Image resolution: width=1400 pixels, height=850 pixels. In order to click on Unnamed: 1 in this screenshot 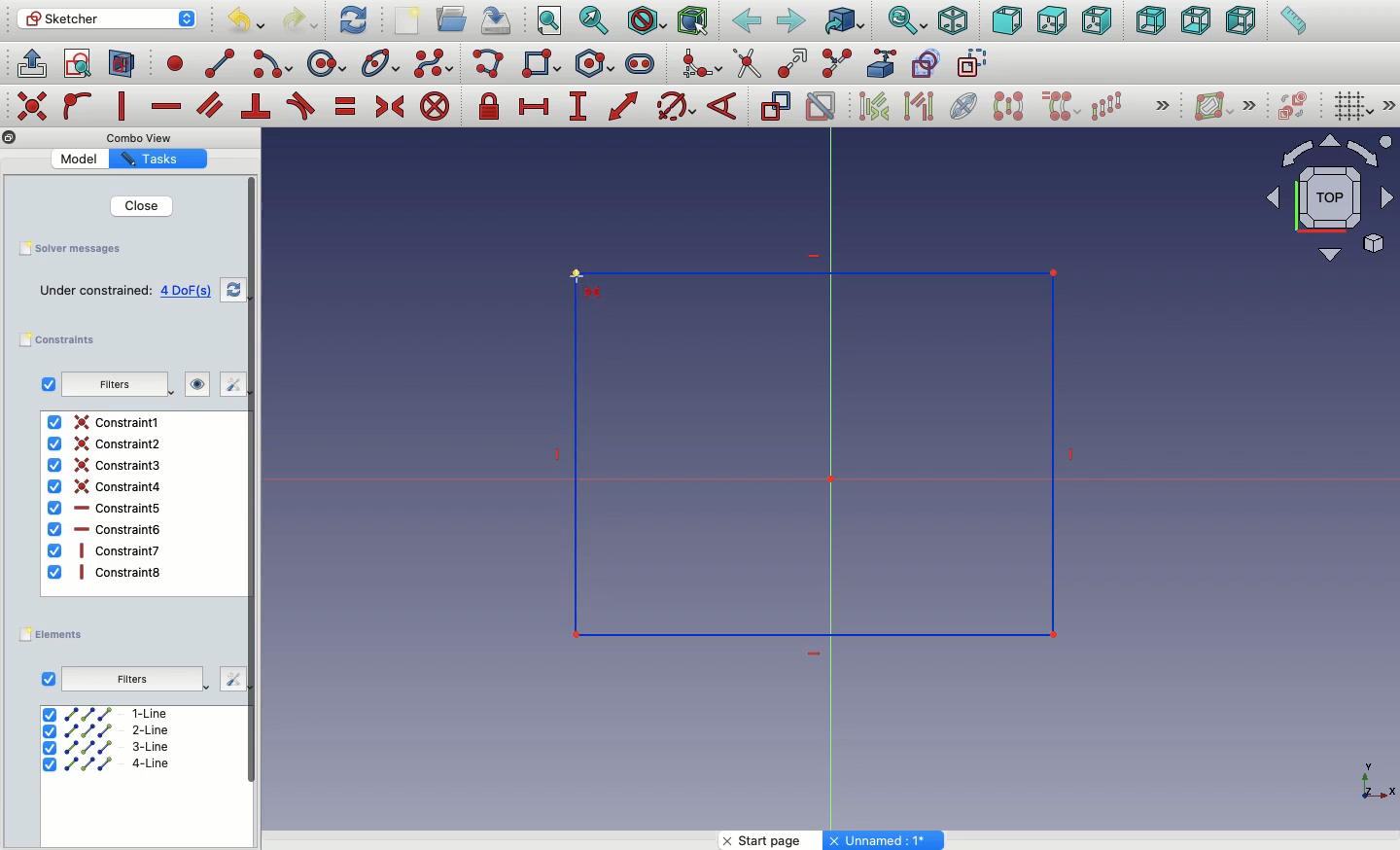, I will do `click(885, 840)`.